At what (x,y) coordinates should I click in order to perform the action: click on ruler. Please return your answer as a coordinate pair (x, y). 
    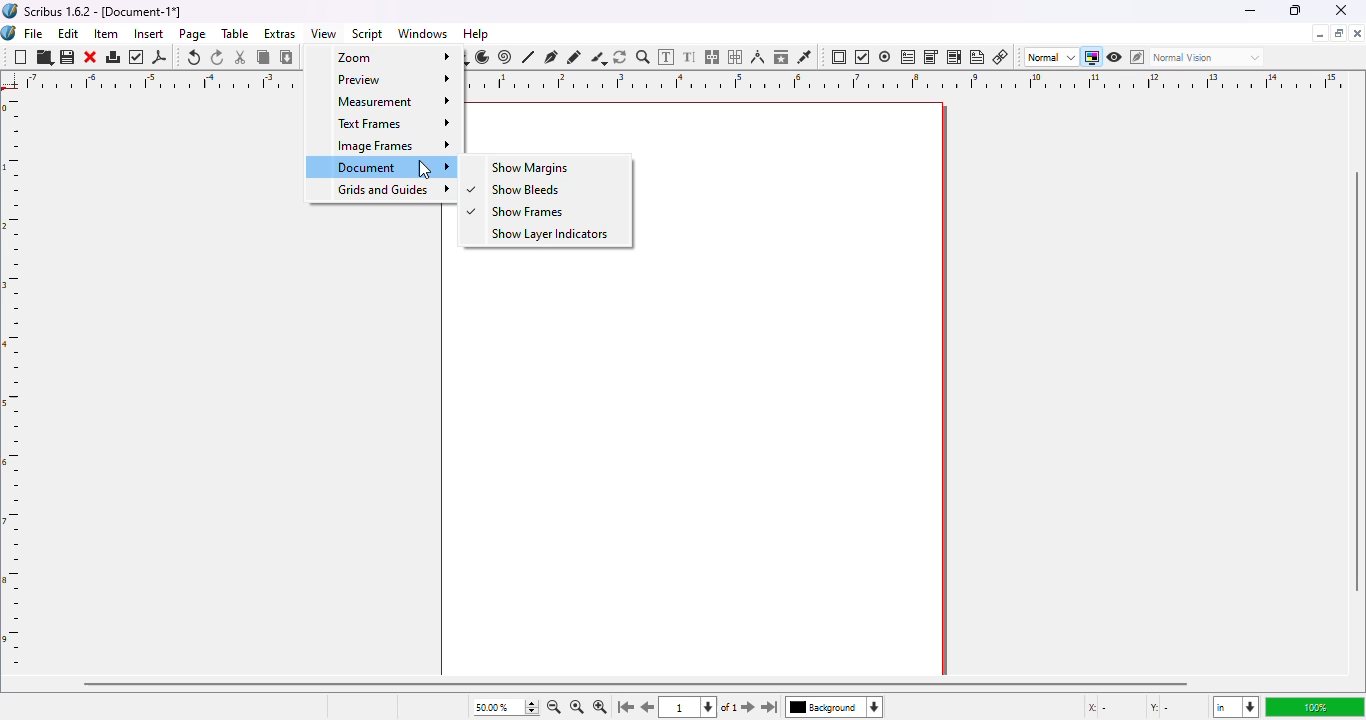
    Looking at the image, I should click on (910, 80).